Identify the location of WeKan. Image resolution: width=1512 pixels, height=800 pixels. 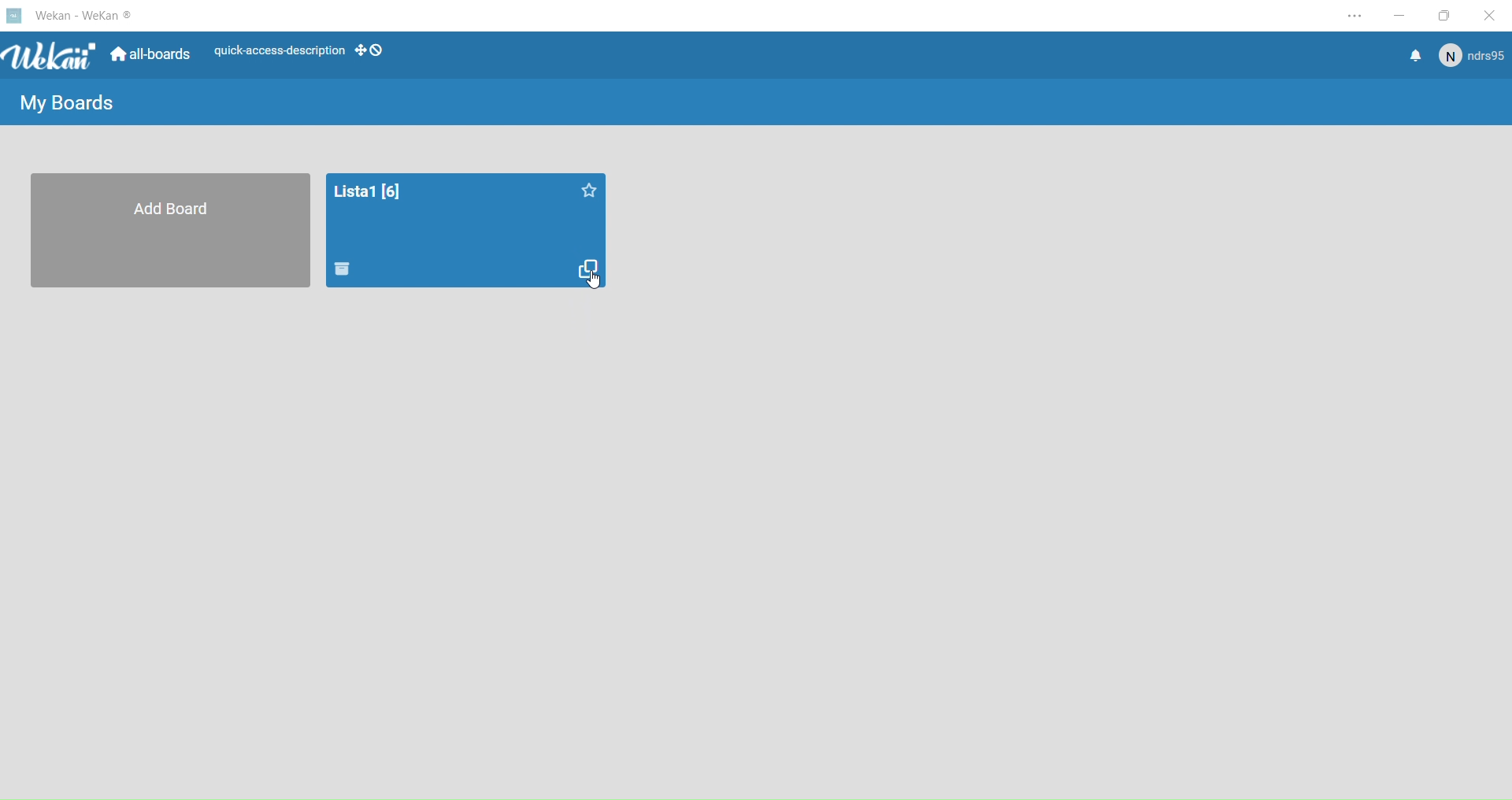
(94, 17).